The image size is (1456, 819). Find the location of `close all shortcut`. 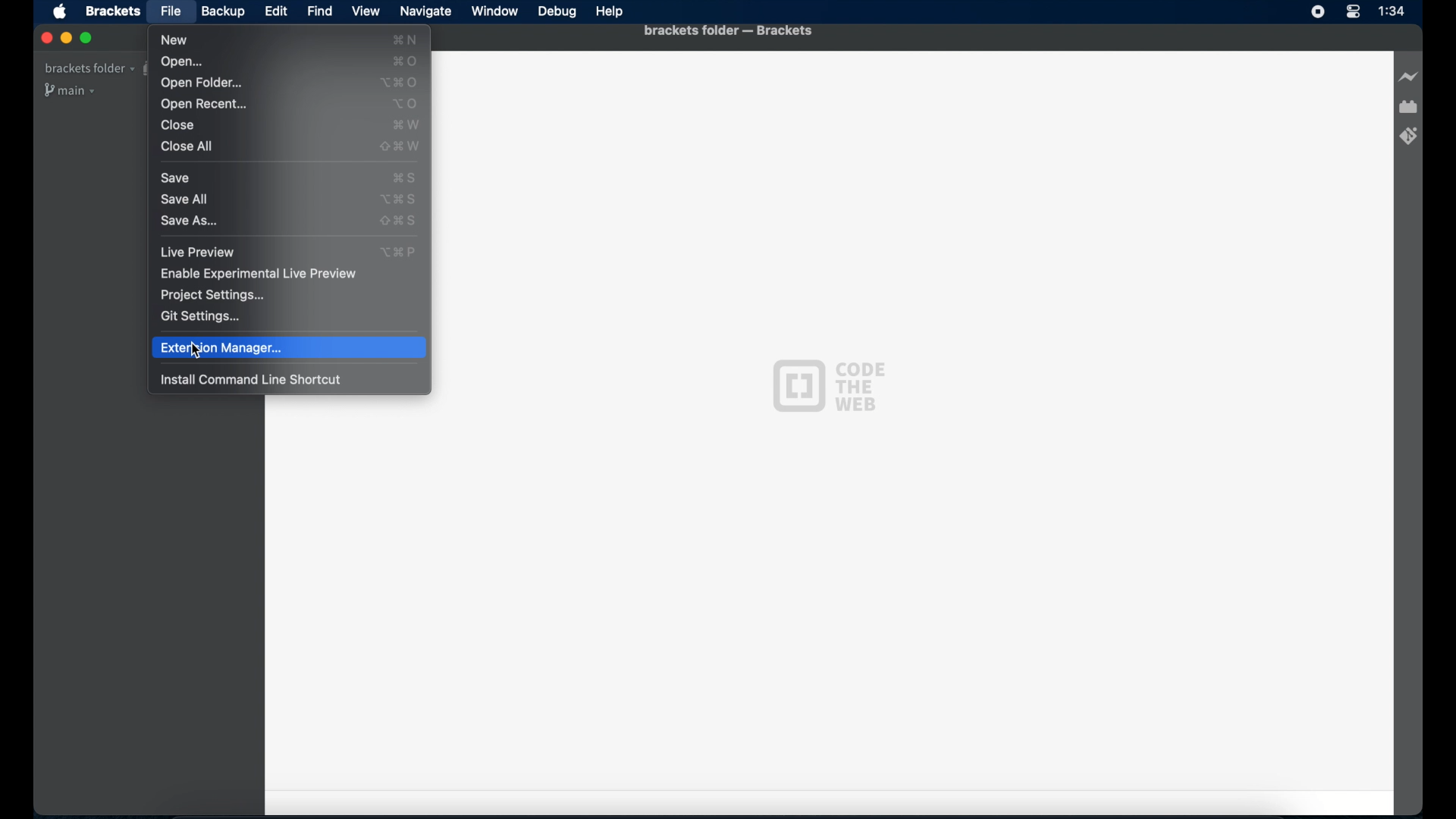

close all shortcut is located at coordinates (401, 146).